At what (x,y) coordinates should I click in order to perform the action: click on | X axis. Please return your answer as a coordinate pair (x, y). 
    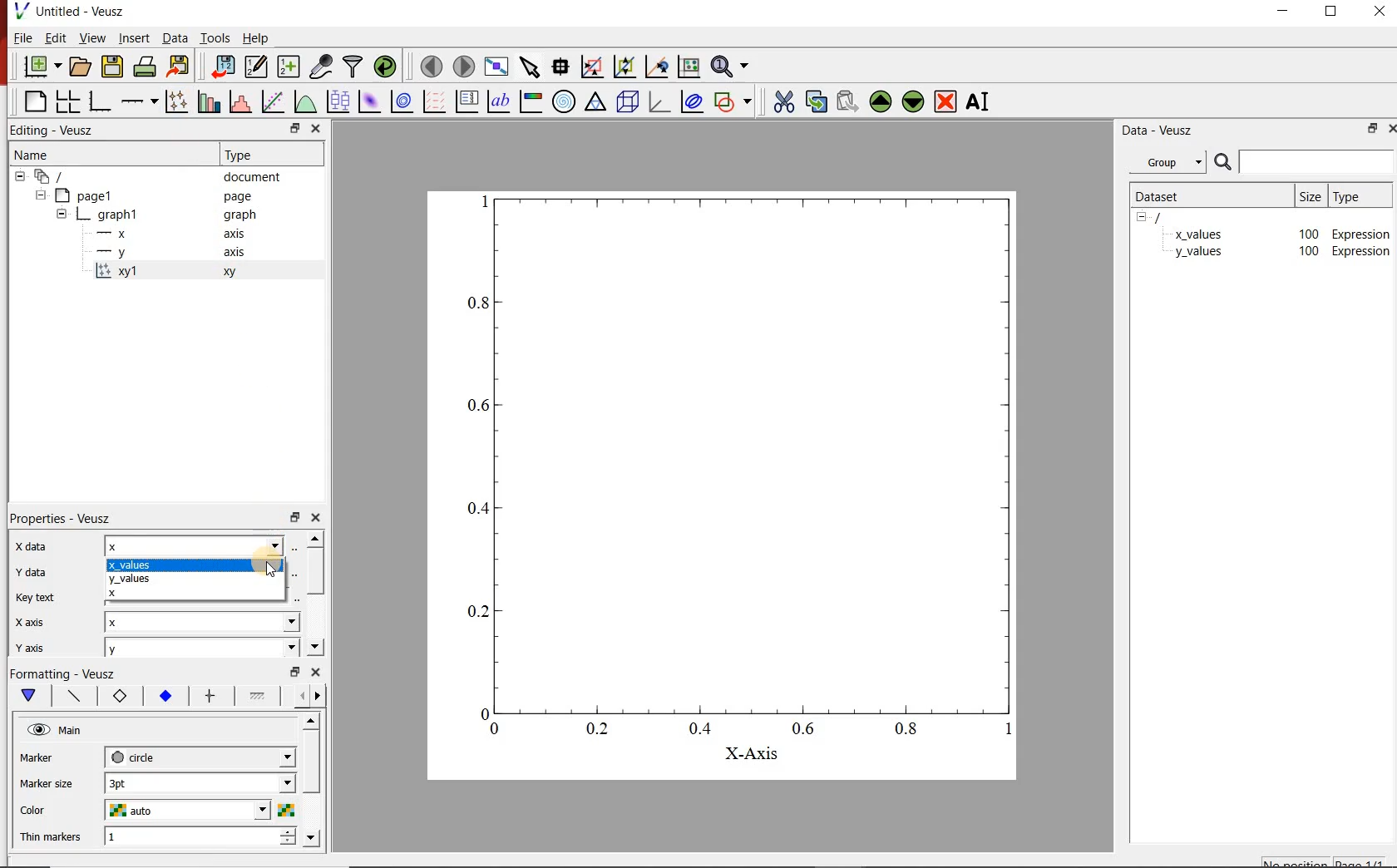
    Looking at the image, I should click on (37, 622).